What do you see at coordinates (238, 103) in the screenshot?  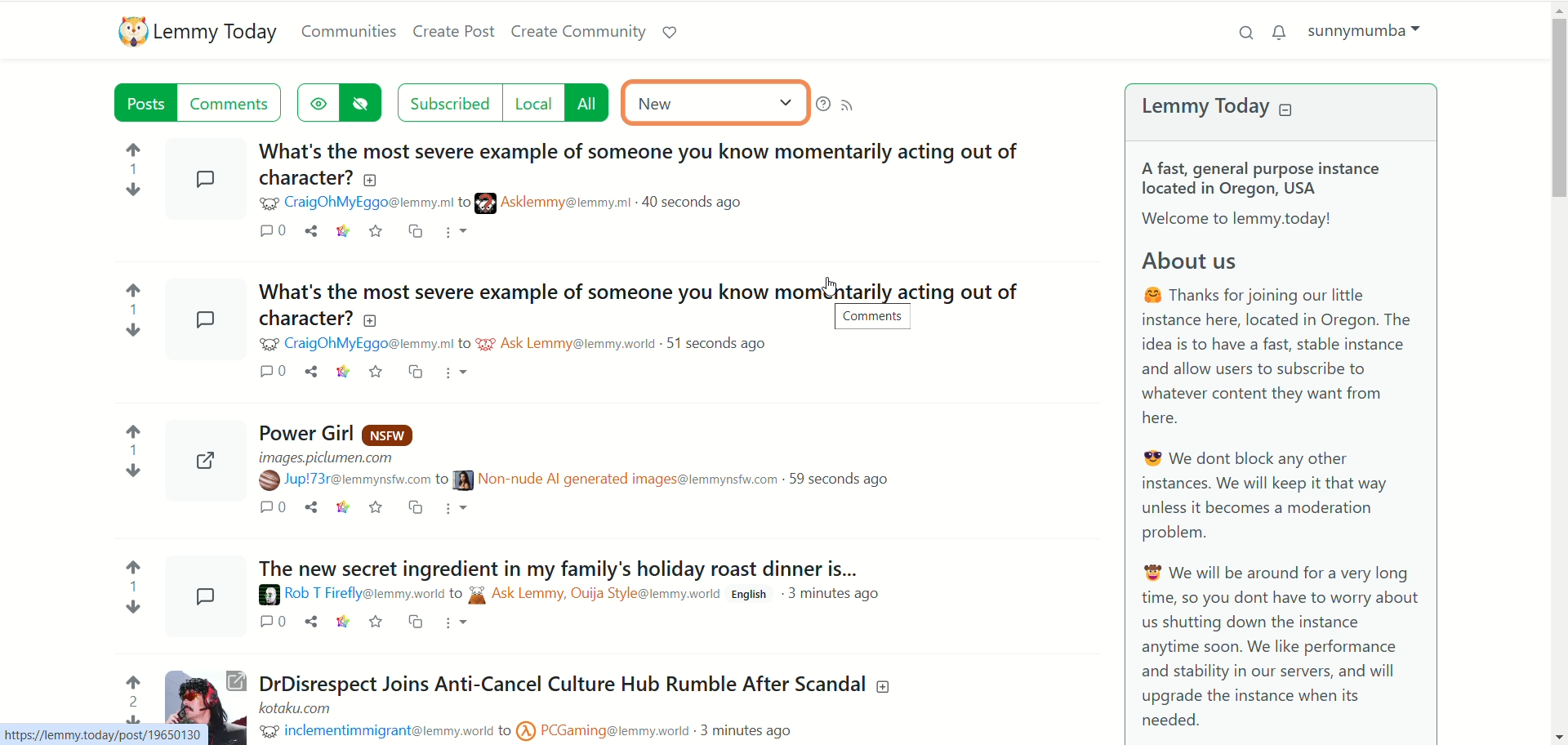 I see `comments` at bounding box center [238, 103].